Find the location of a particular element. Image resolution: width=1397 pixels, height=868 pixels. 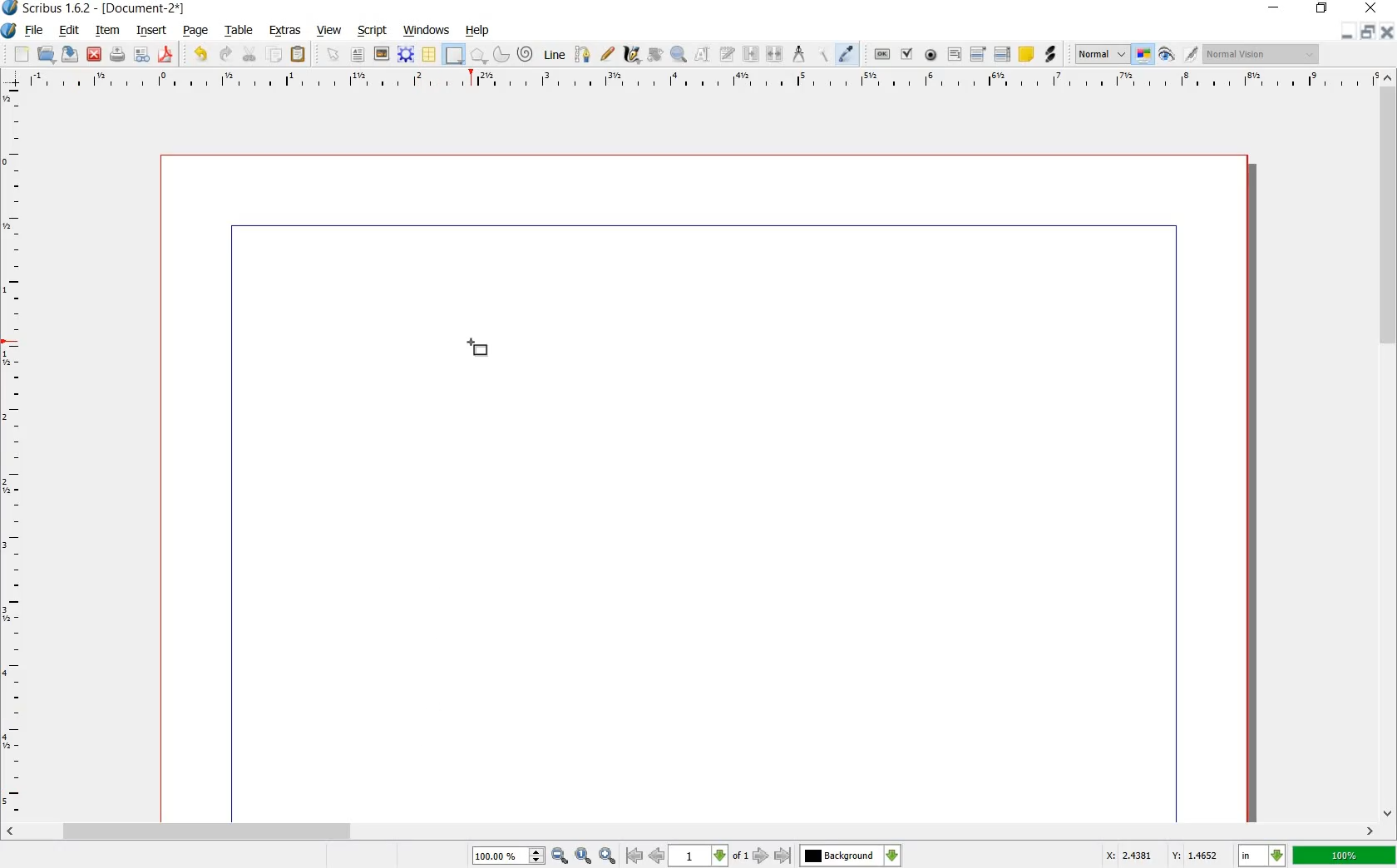

TEXT FRAME is located at coordinates (358, 55).